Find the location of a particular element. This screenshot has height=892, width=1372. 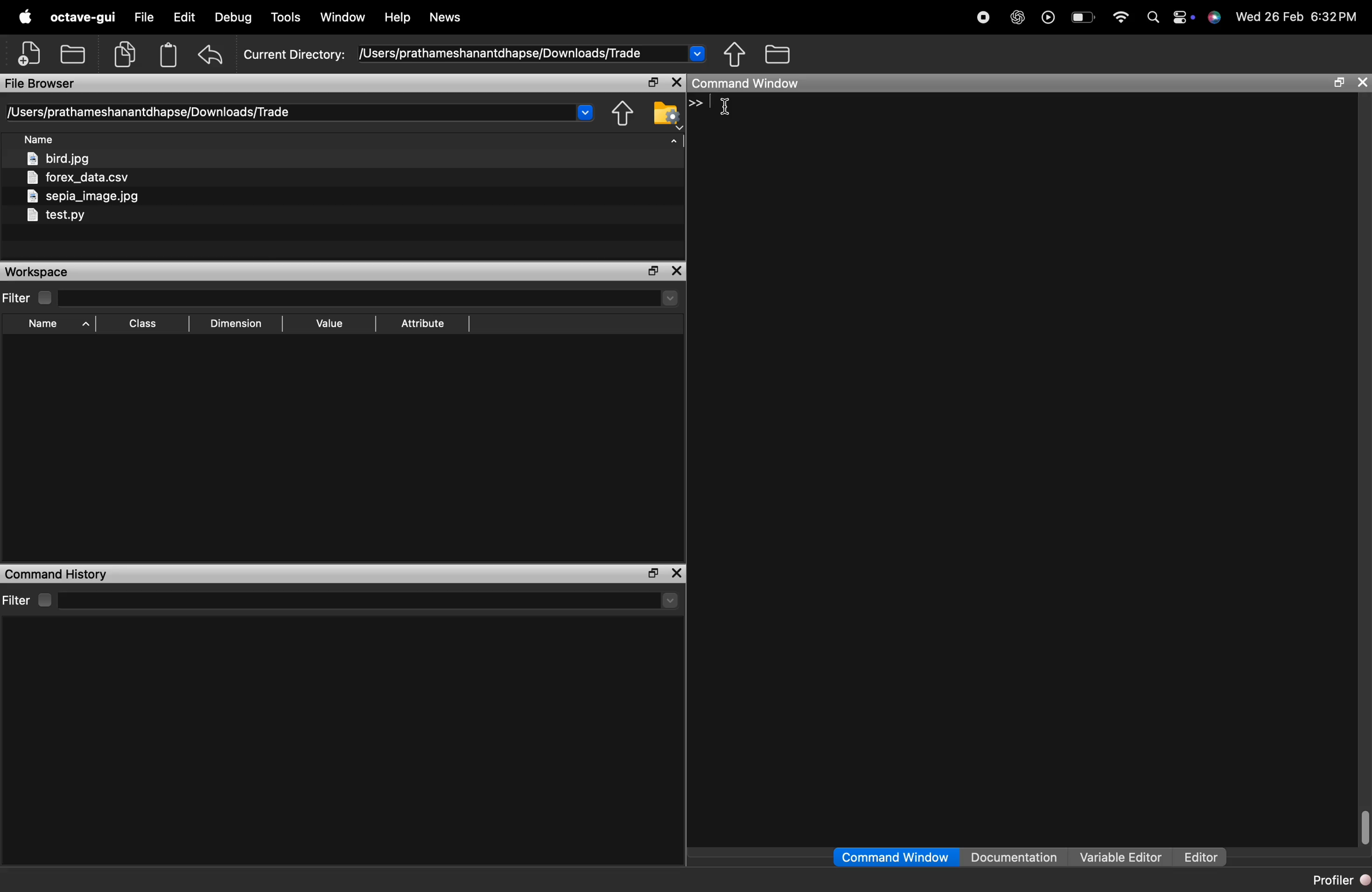

sort by name is located at coordinates (56, 324).